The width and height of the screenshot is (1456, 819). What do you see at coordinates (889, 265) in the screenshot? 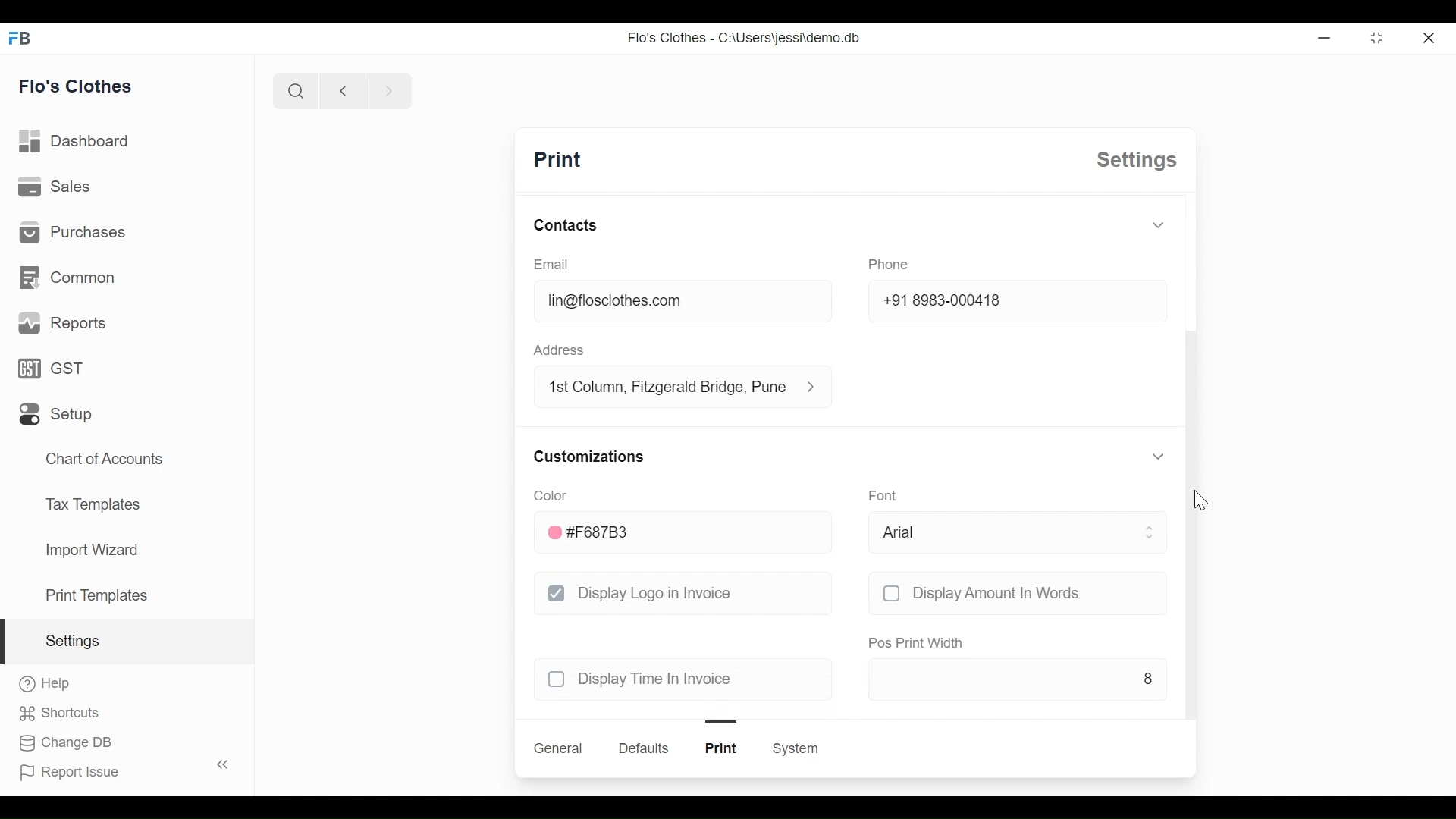
I see `phone` at bounding box center [889, 265].